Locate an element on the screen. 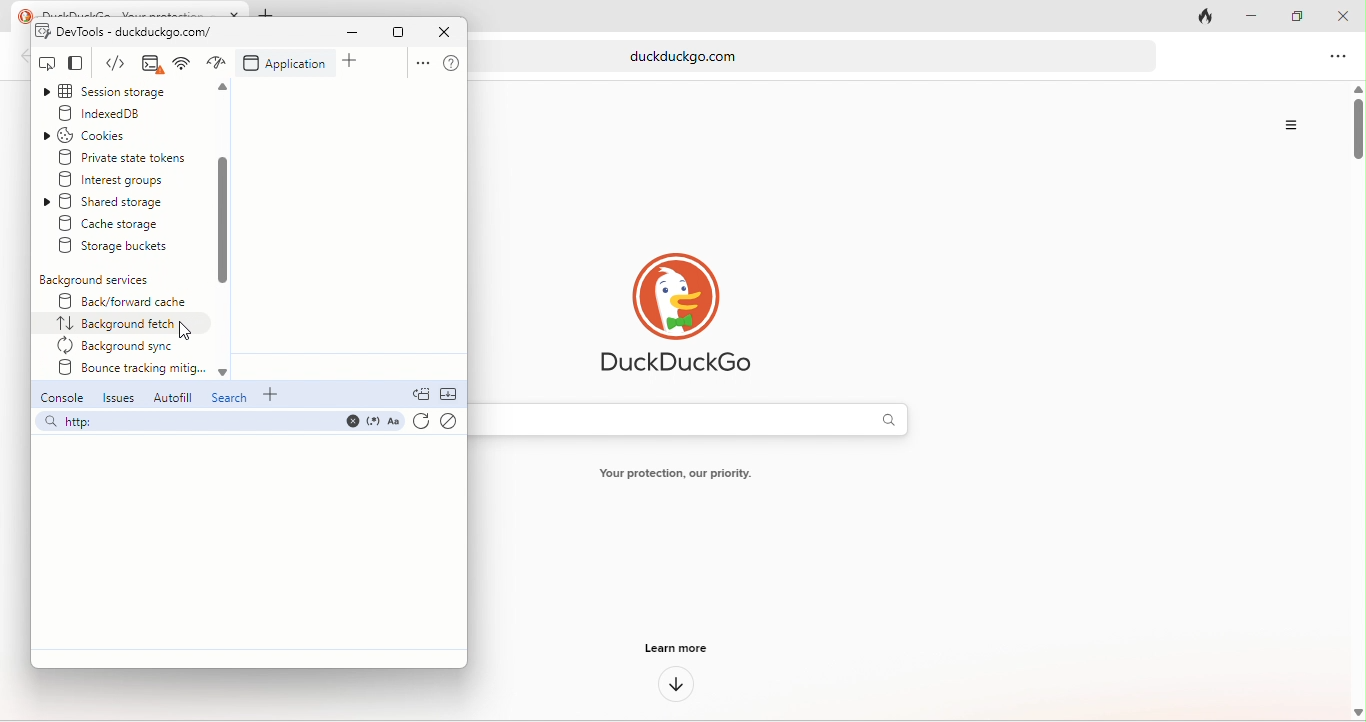 Image resolution: width=1366 pixels, height=722 pixels. cookies is located at coordinates (105, 135).